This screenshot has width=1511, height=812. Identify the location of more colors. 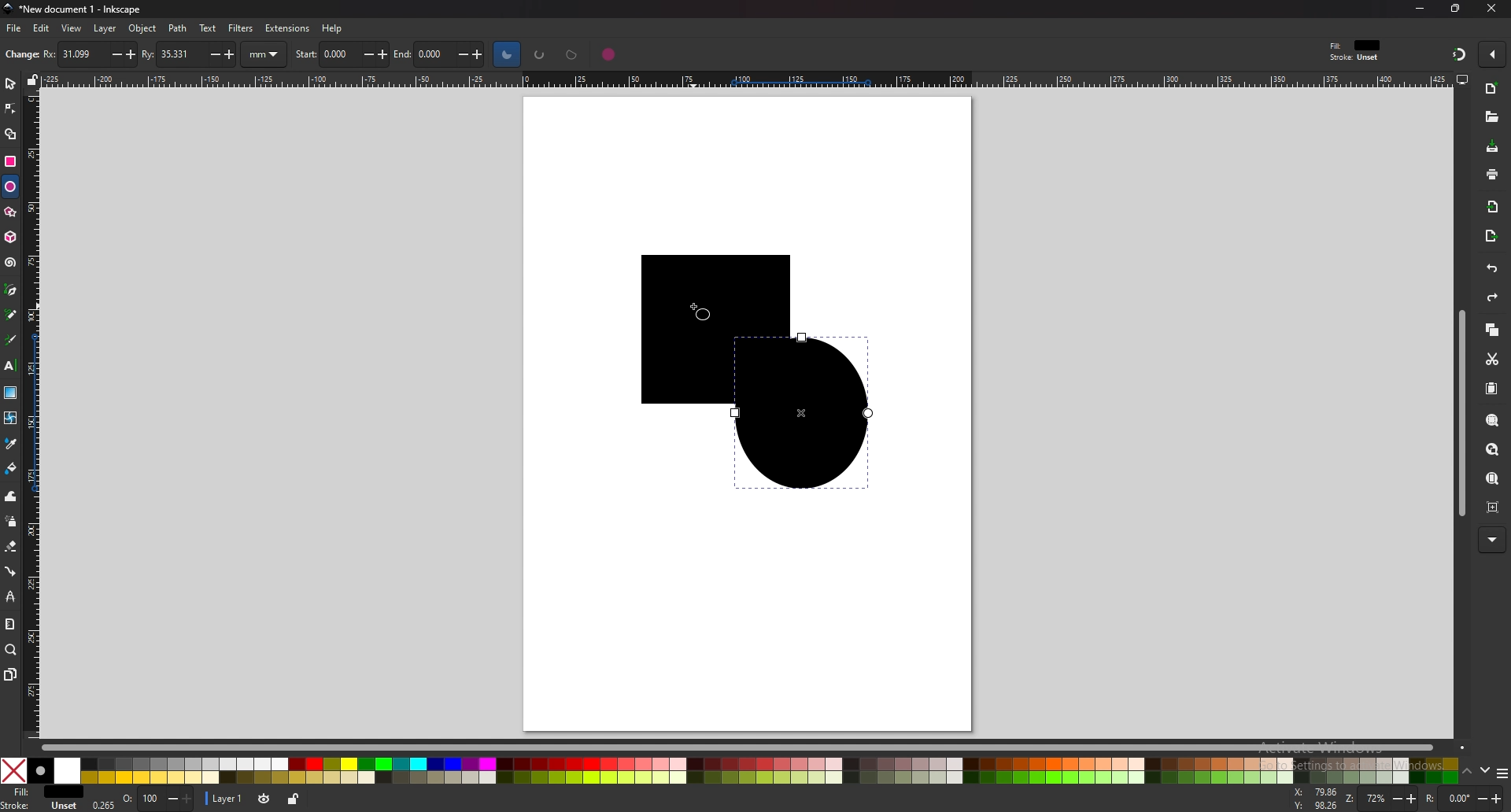
(1502, 773).